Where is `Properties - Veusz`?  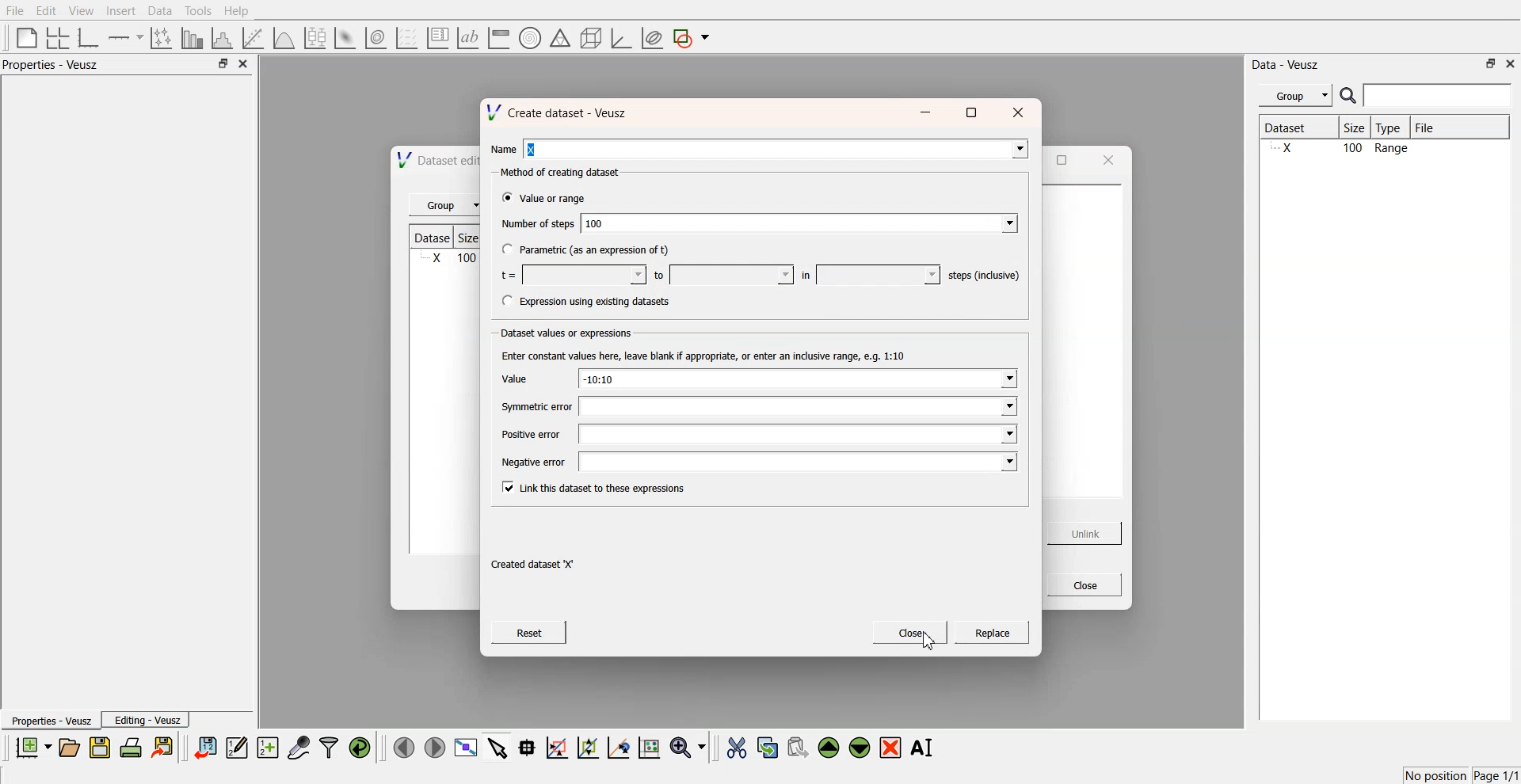
Properties - Veusz is located at coordinates (51, 721).